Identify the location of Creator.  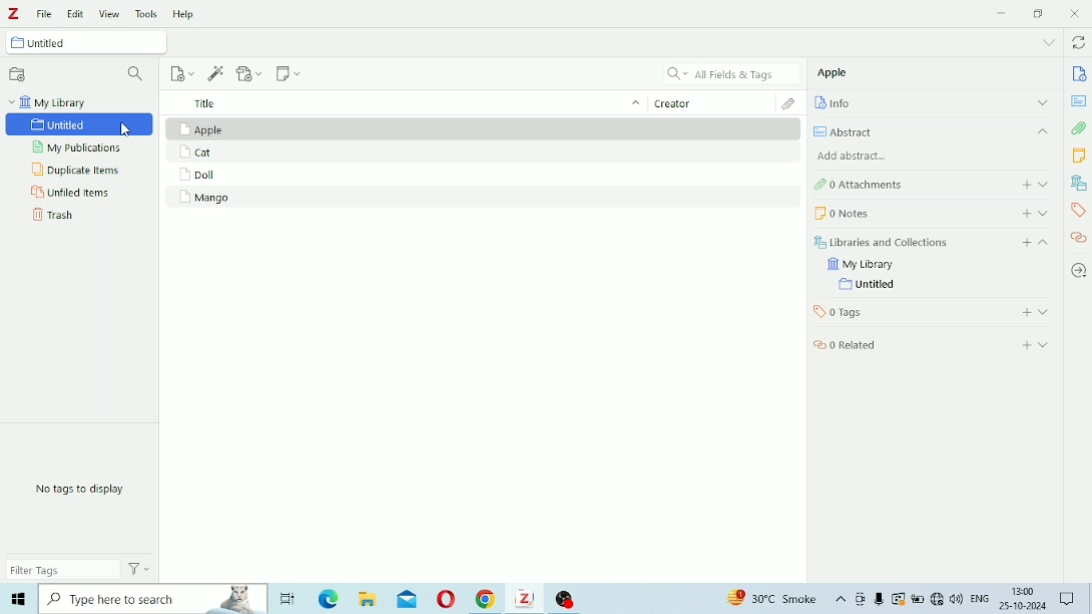
(715, 101).